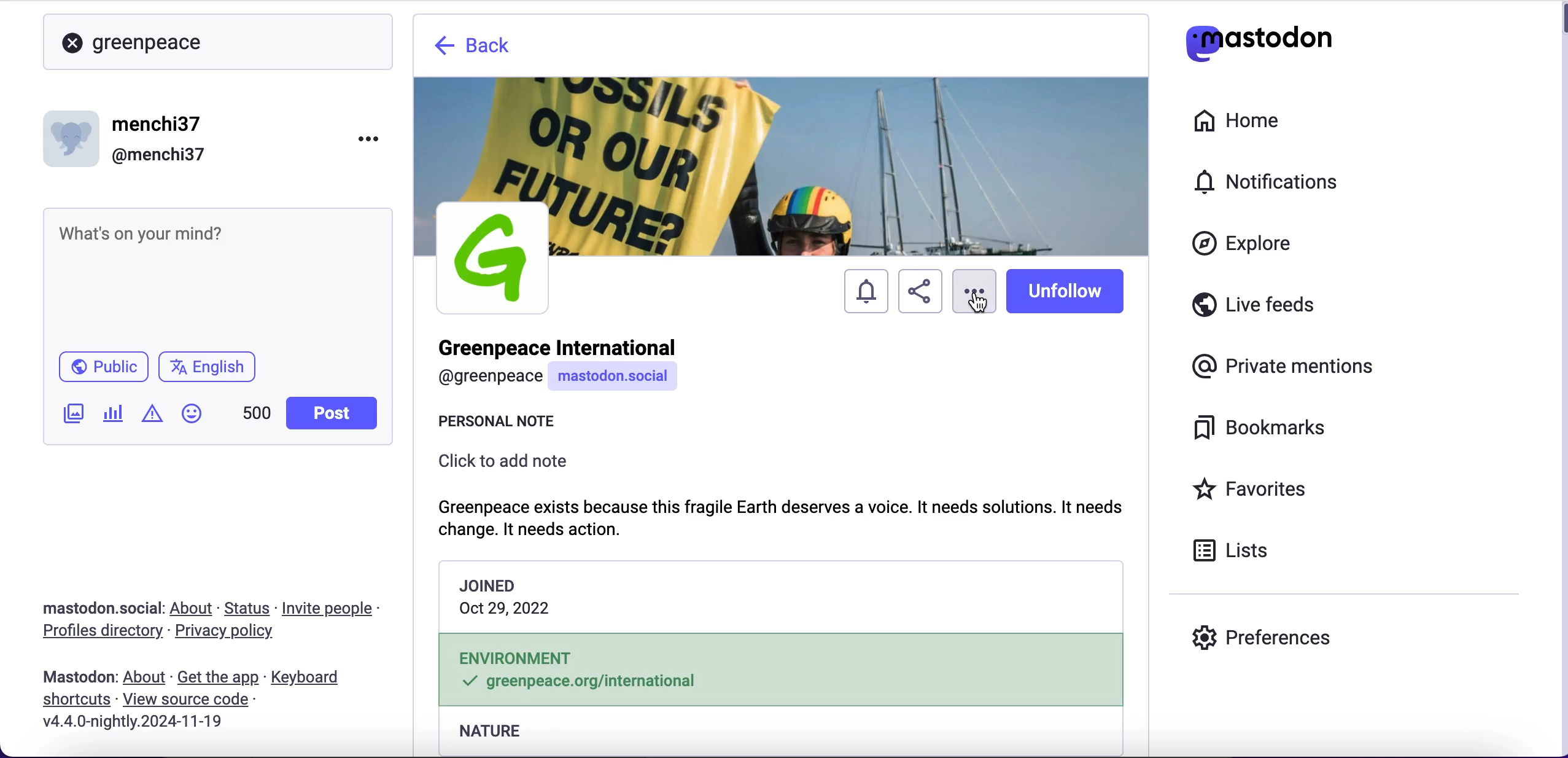 This screenshot has width=1568, height=758. I want to click on scroll bar, so click(1561, 381).